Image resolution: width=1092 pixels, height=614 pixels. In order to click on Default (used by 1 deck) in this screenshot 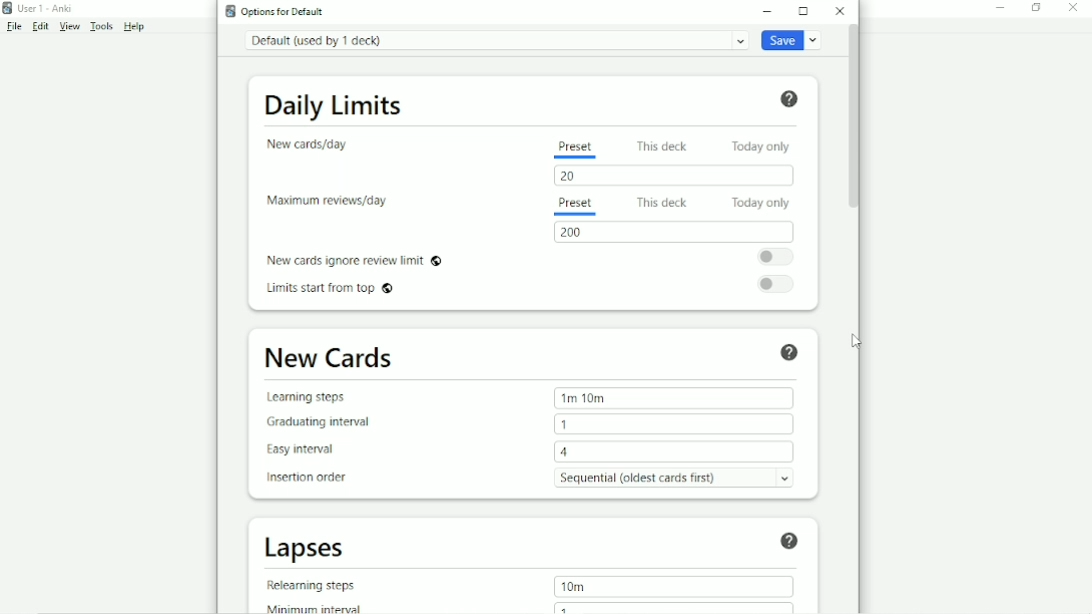, I will do `click(497, 40)`.